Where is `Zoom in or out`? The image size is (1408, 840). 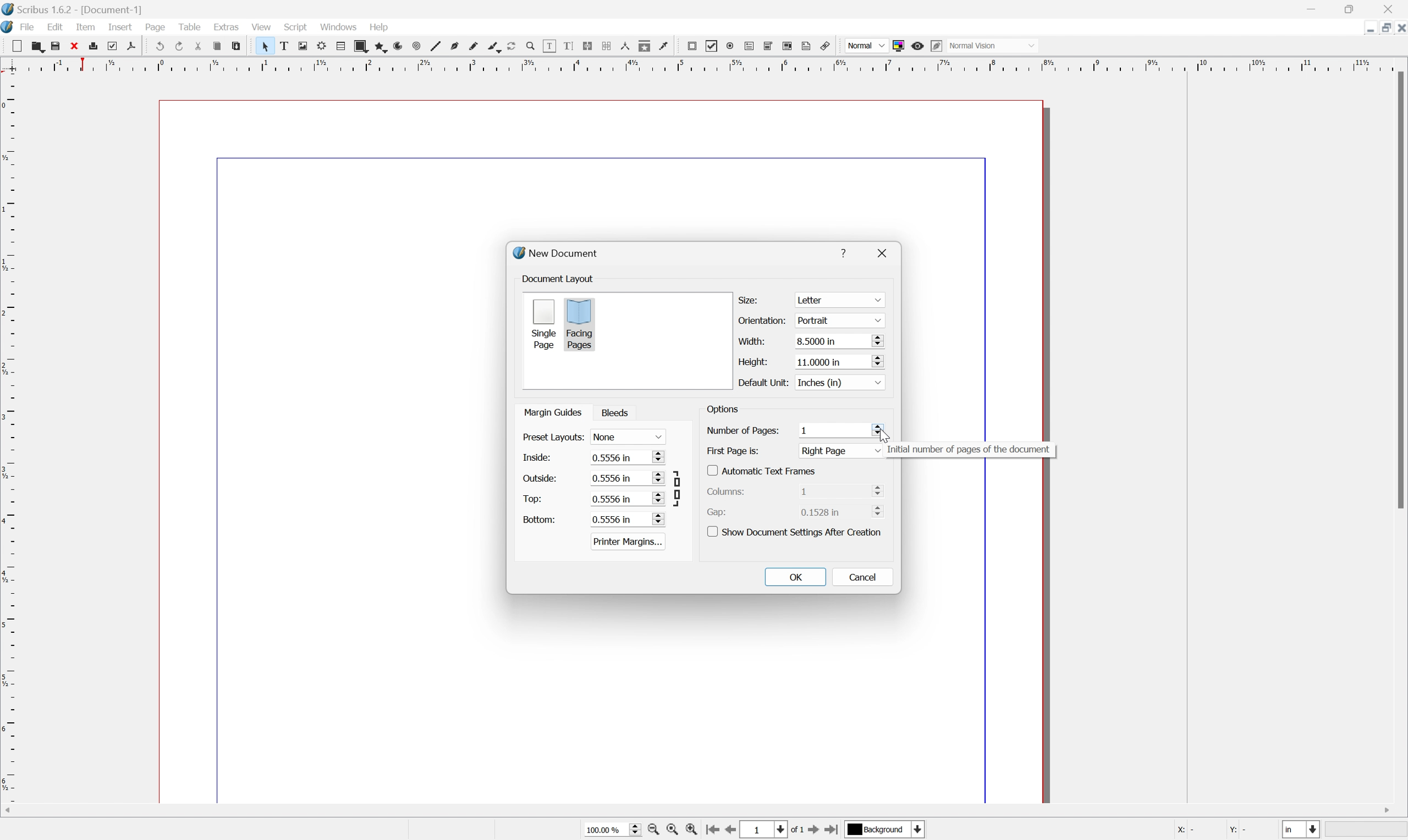
Zoom in or out is located at coordinates (529, 44).